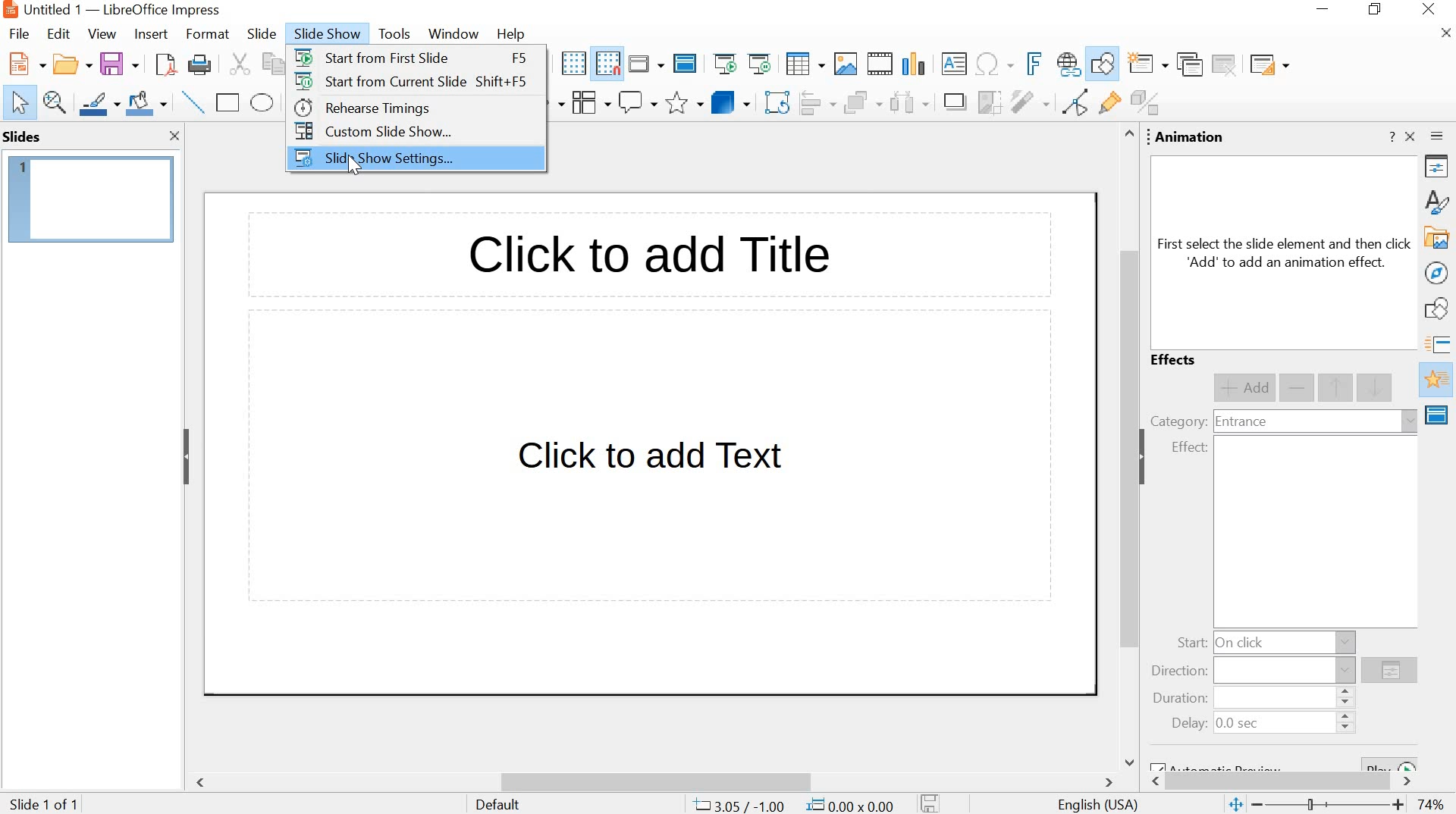 Image resolution: width=1456 pixels, height=814 pixels. Describe the element at coordinates (162, 10) in the screenshot. I see `app name` at that location.